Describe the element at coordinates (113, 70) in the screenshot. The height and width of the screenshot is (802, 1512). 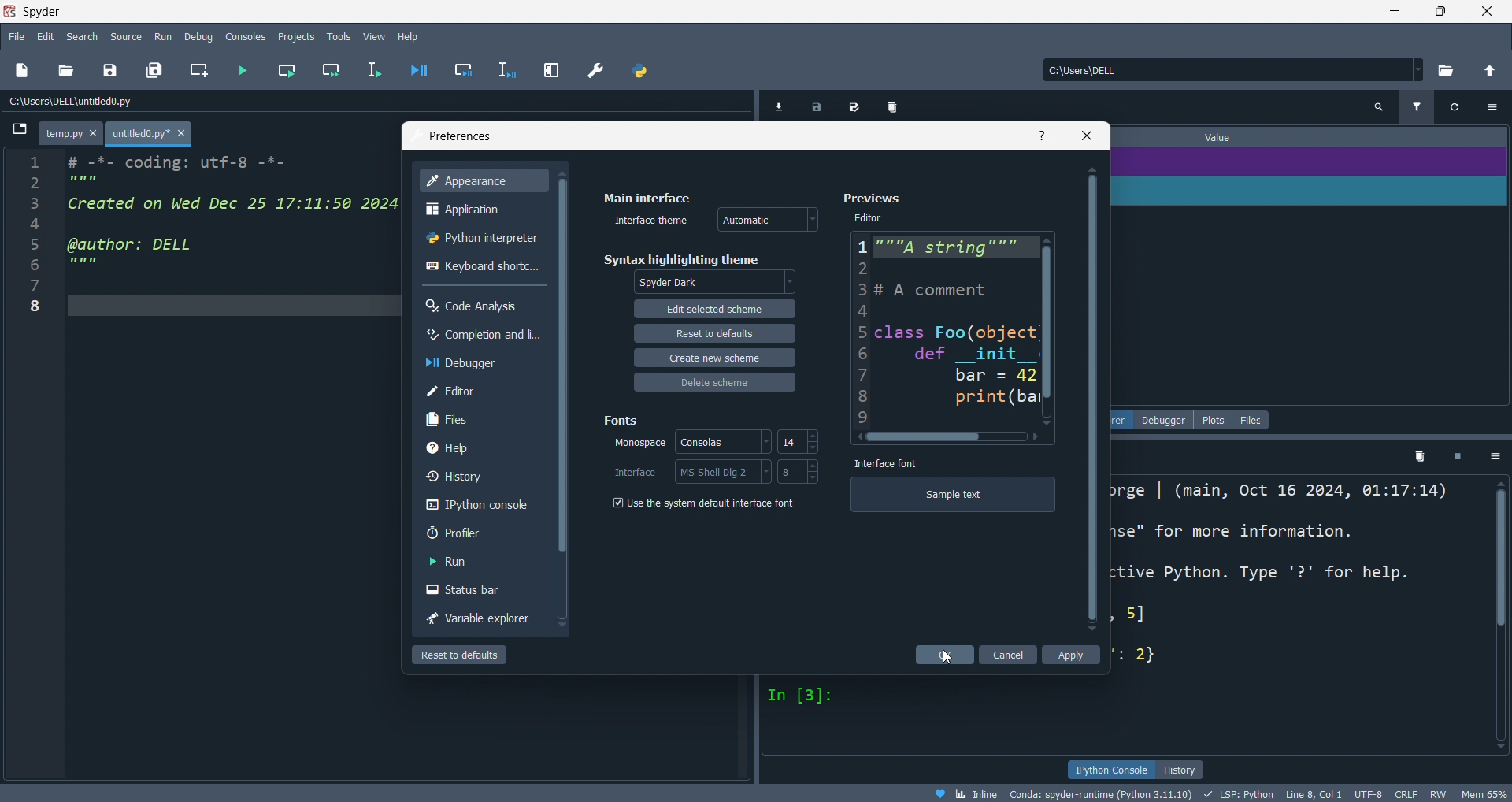
I see `save` at that location.